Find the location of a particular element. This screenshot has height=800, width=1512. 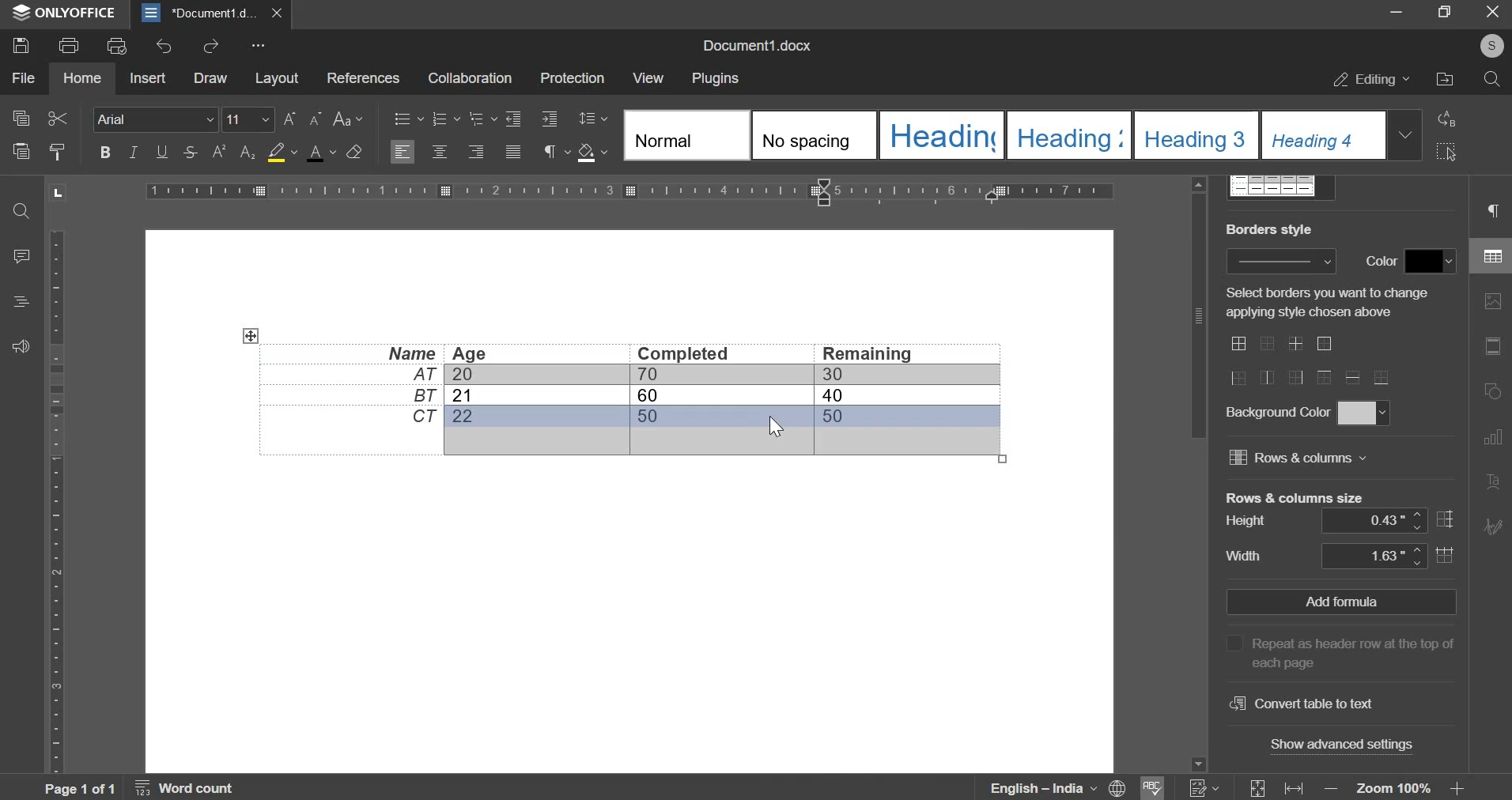

column width is located at coordinates (1387, 554).